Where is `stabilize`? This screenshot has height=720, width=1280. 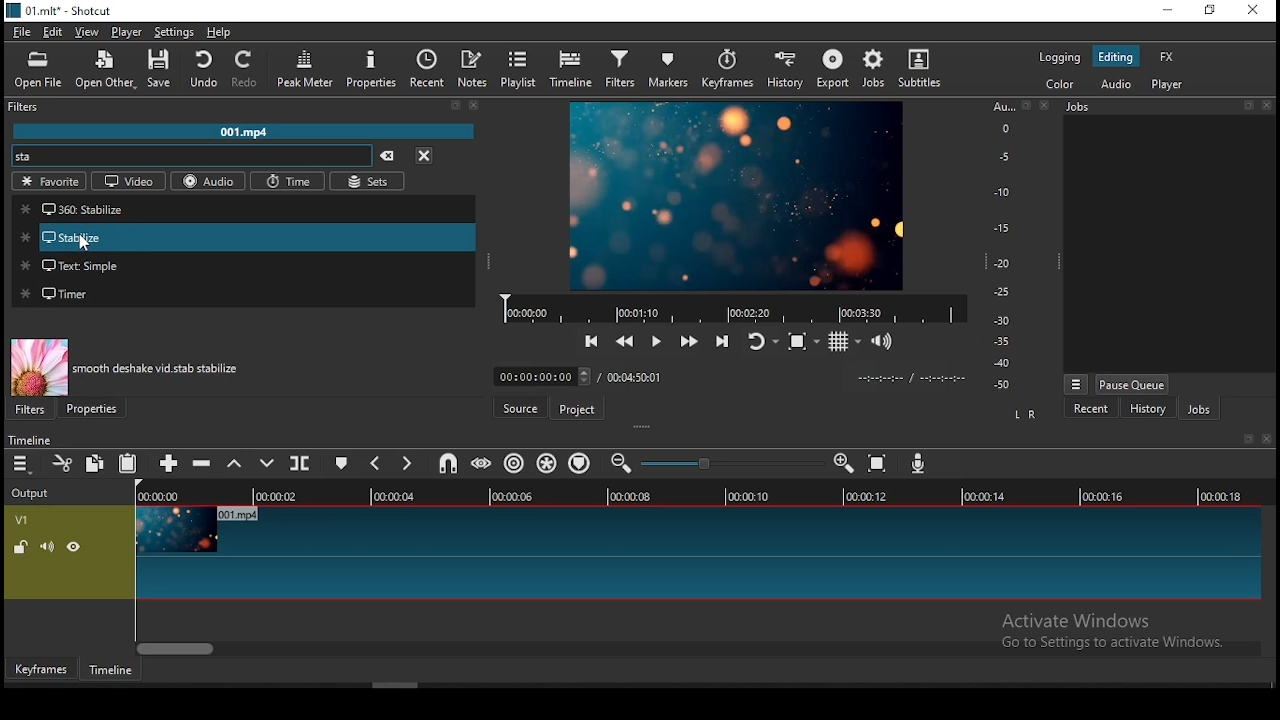 stabilize is located at coordinates (242, 240).